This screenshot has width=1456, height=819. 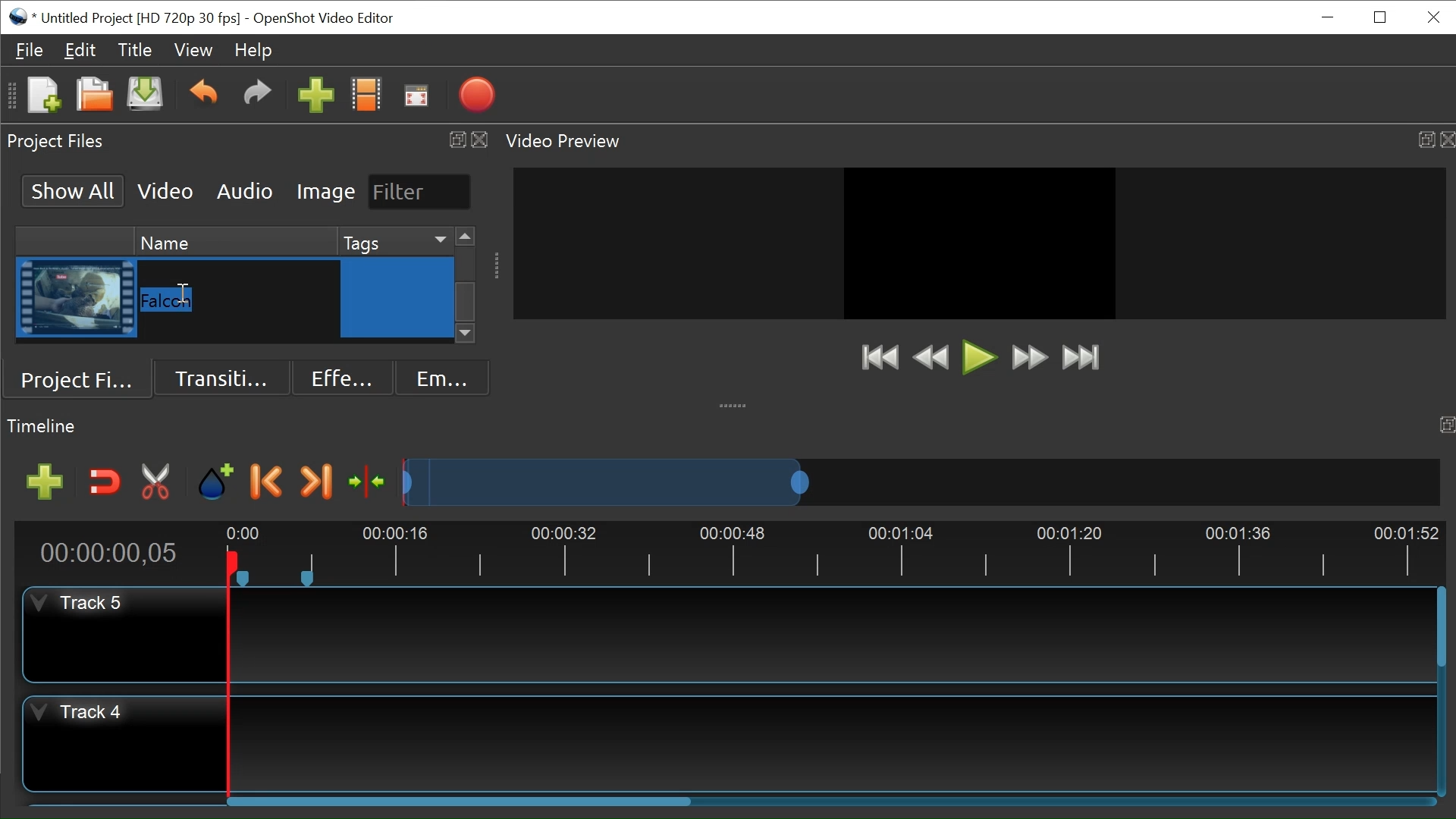 What do you see at coordinates (369, 96) in the screenshot?
I see `Chooses Profile` at bounding box center [369, 96].